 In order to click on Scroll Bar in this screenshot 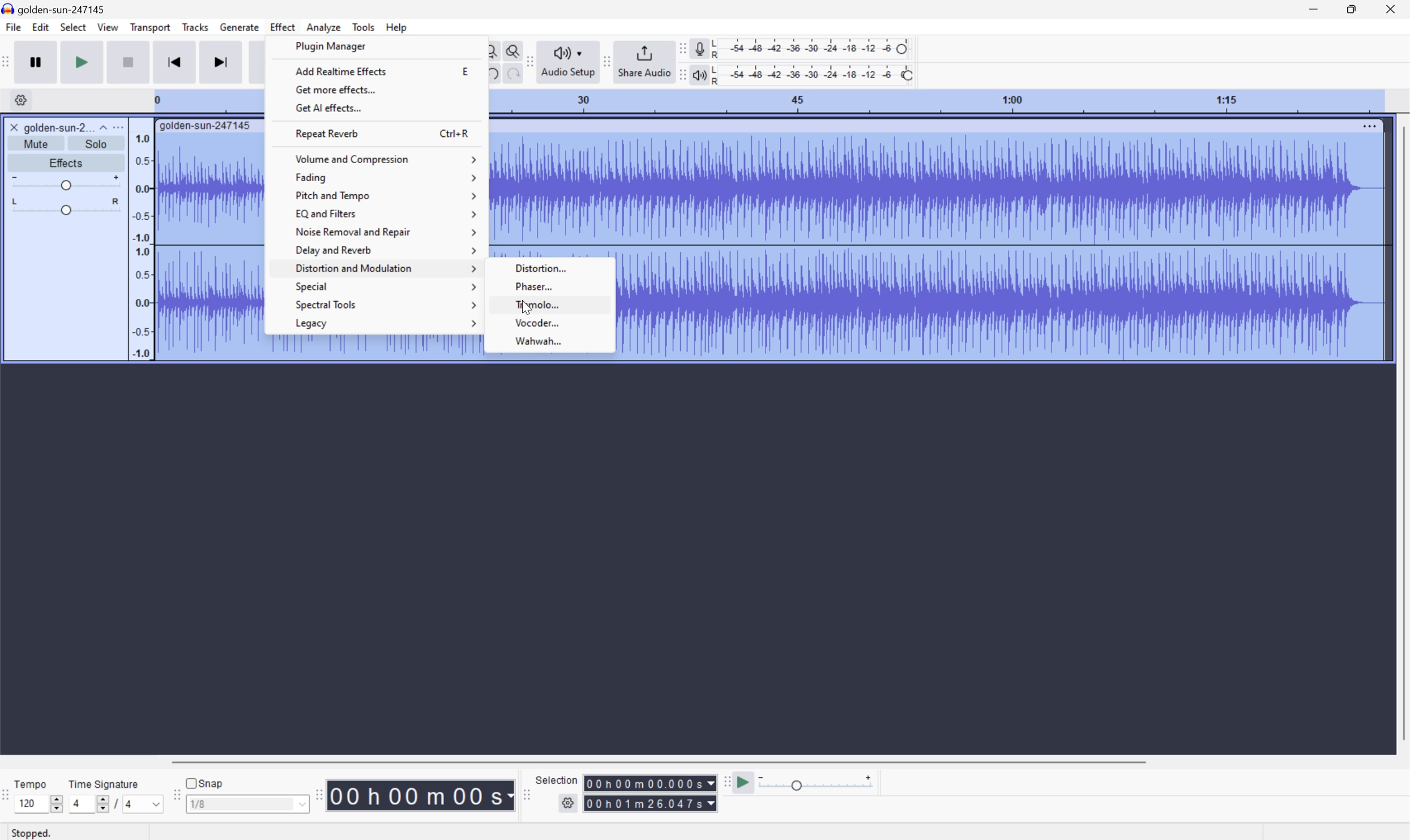, I will do `click(1401, 432)`.